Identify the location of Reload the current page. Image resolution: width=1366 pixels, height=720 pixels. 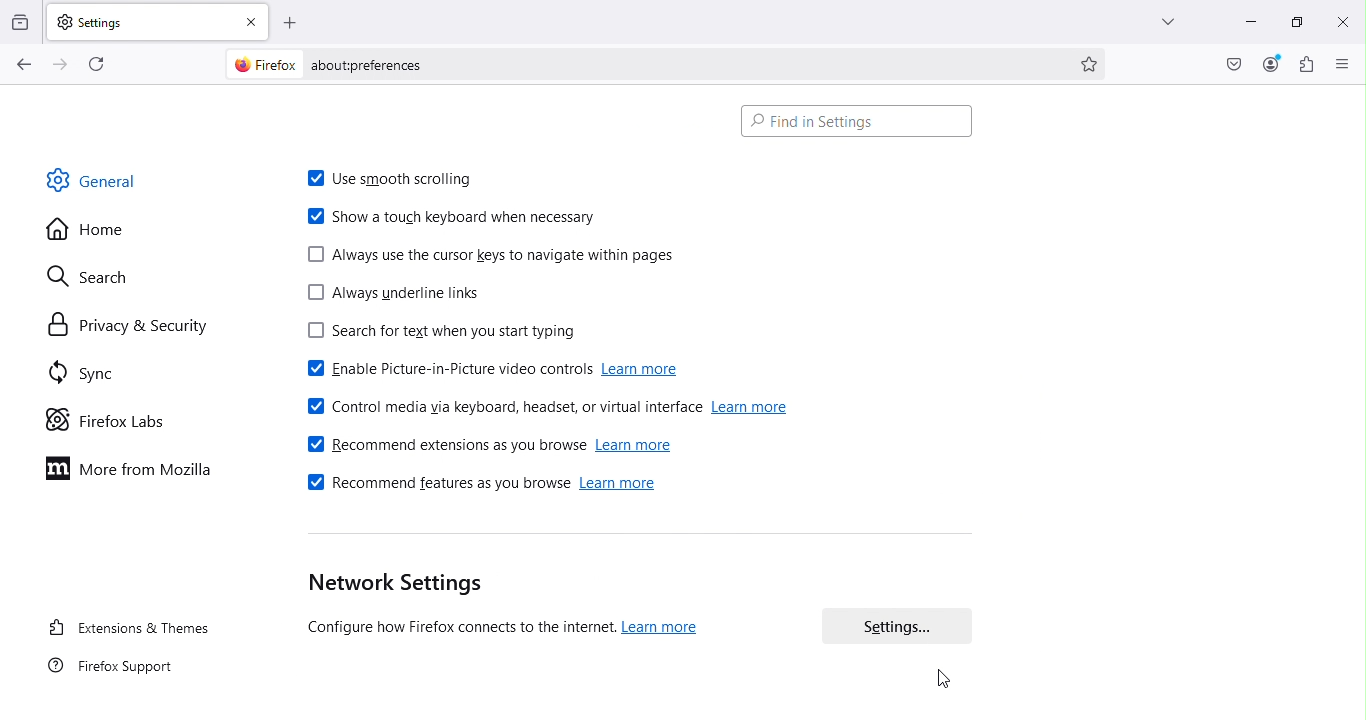
(93, 63).